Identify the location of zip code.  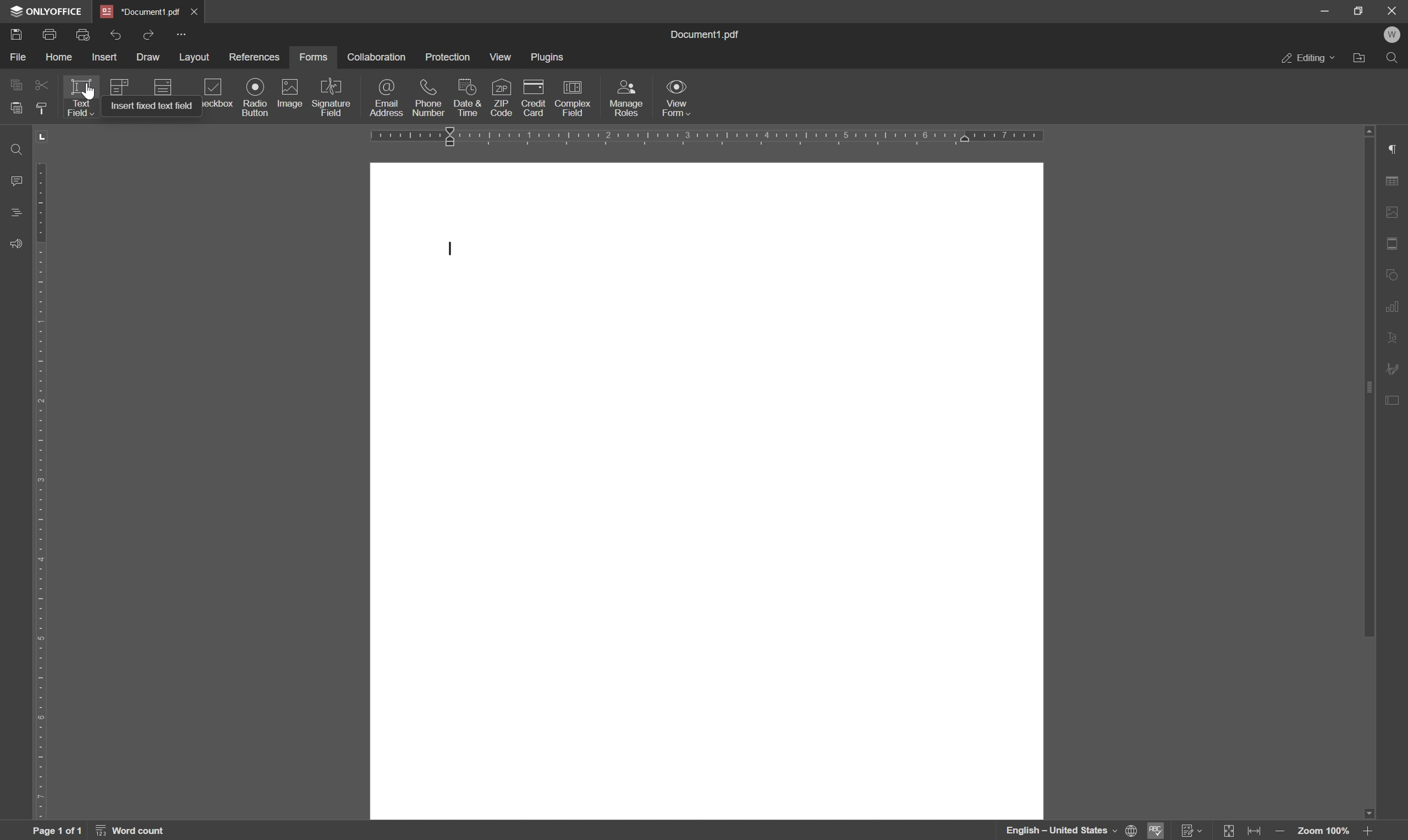
(502, 97).